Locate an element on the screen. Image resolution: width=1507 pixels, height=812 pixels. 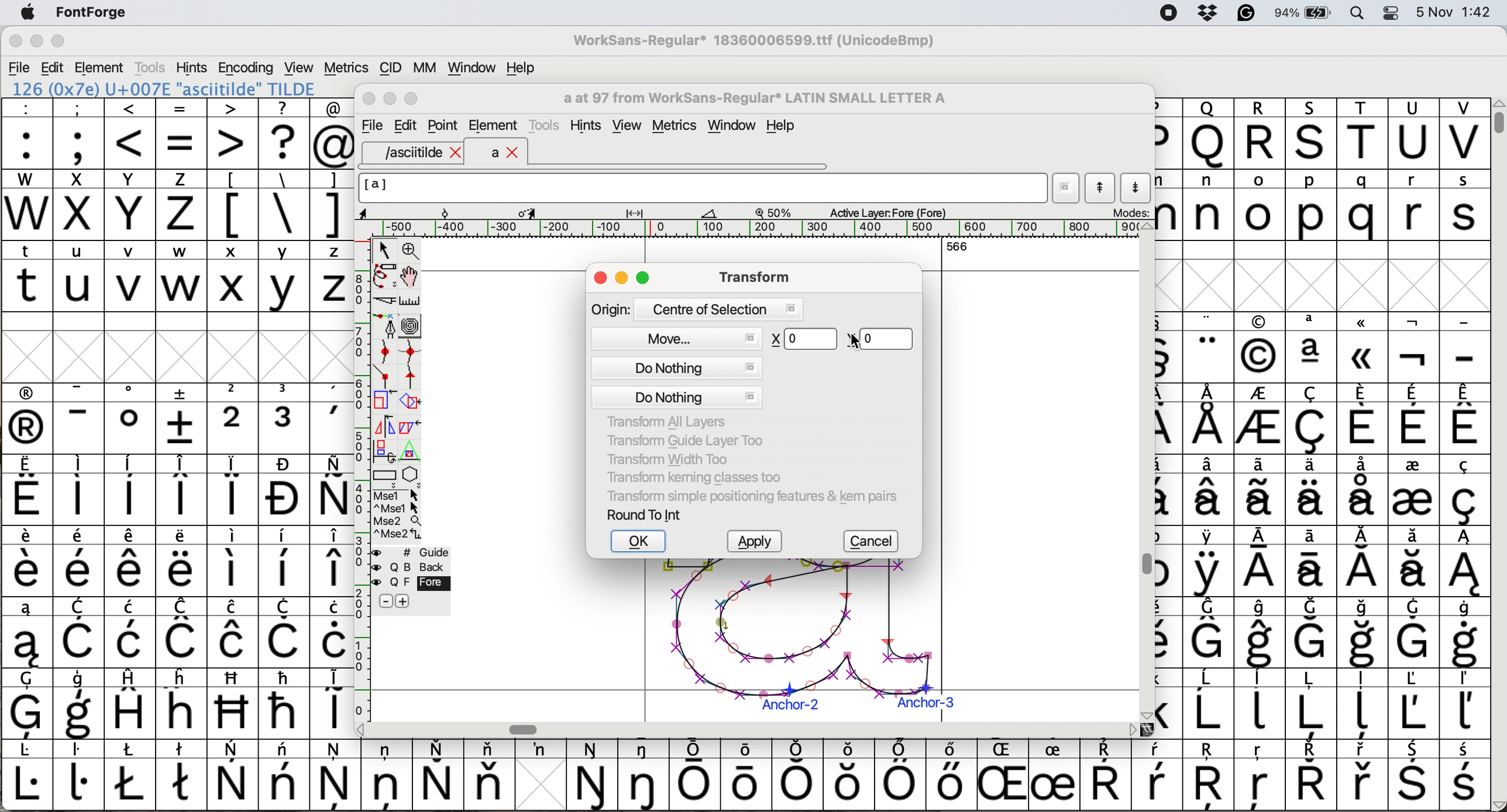
2 is located at coordinates (233, 418).